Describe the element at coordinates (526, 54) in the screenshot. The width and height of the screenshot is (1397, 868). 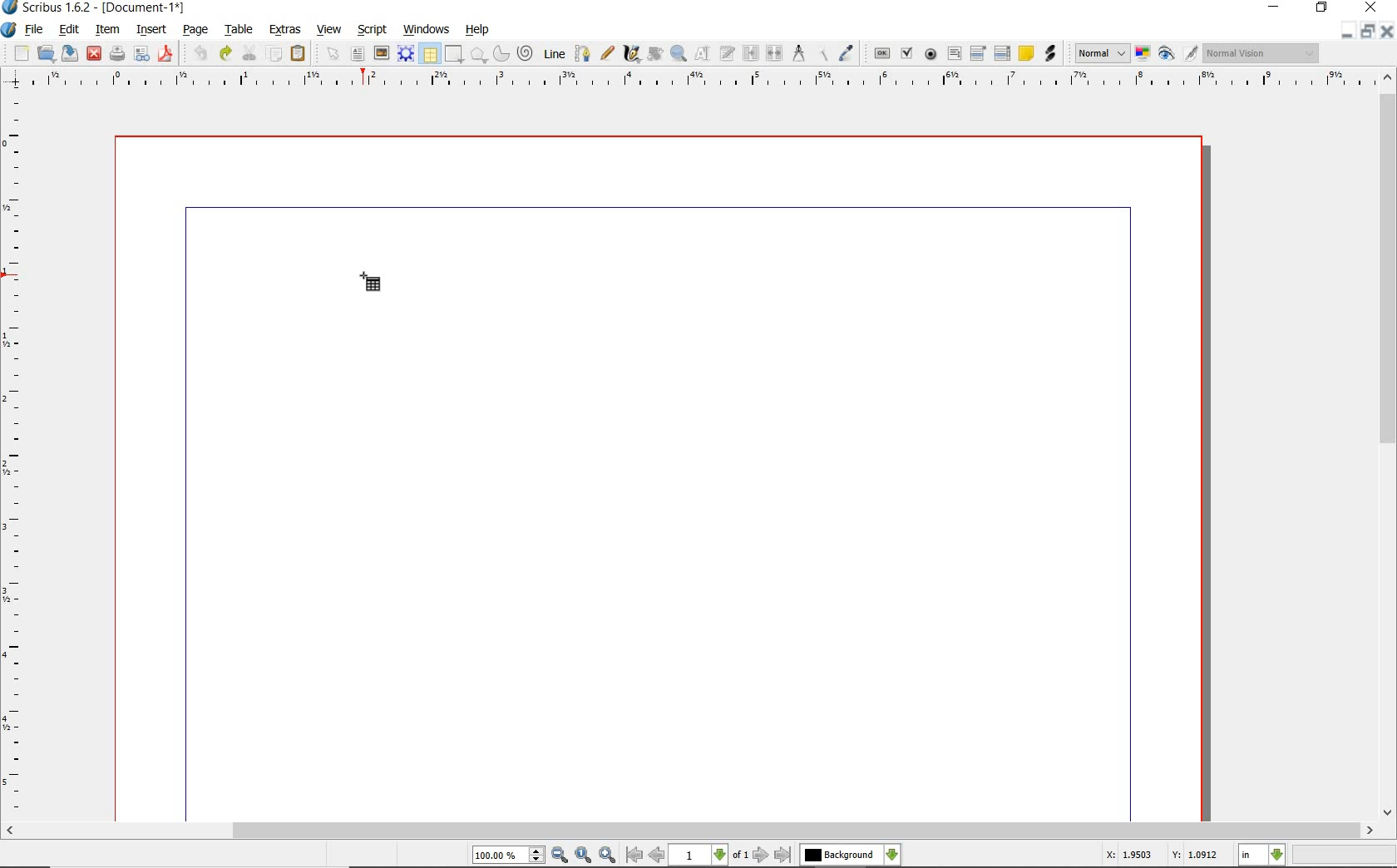
I see `spiral` at that location.